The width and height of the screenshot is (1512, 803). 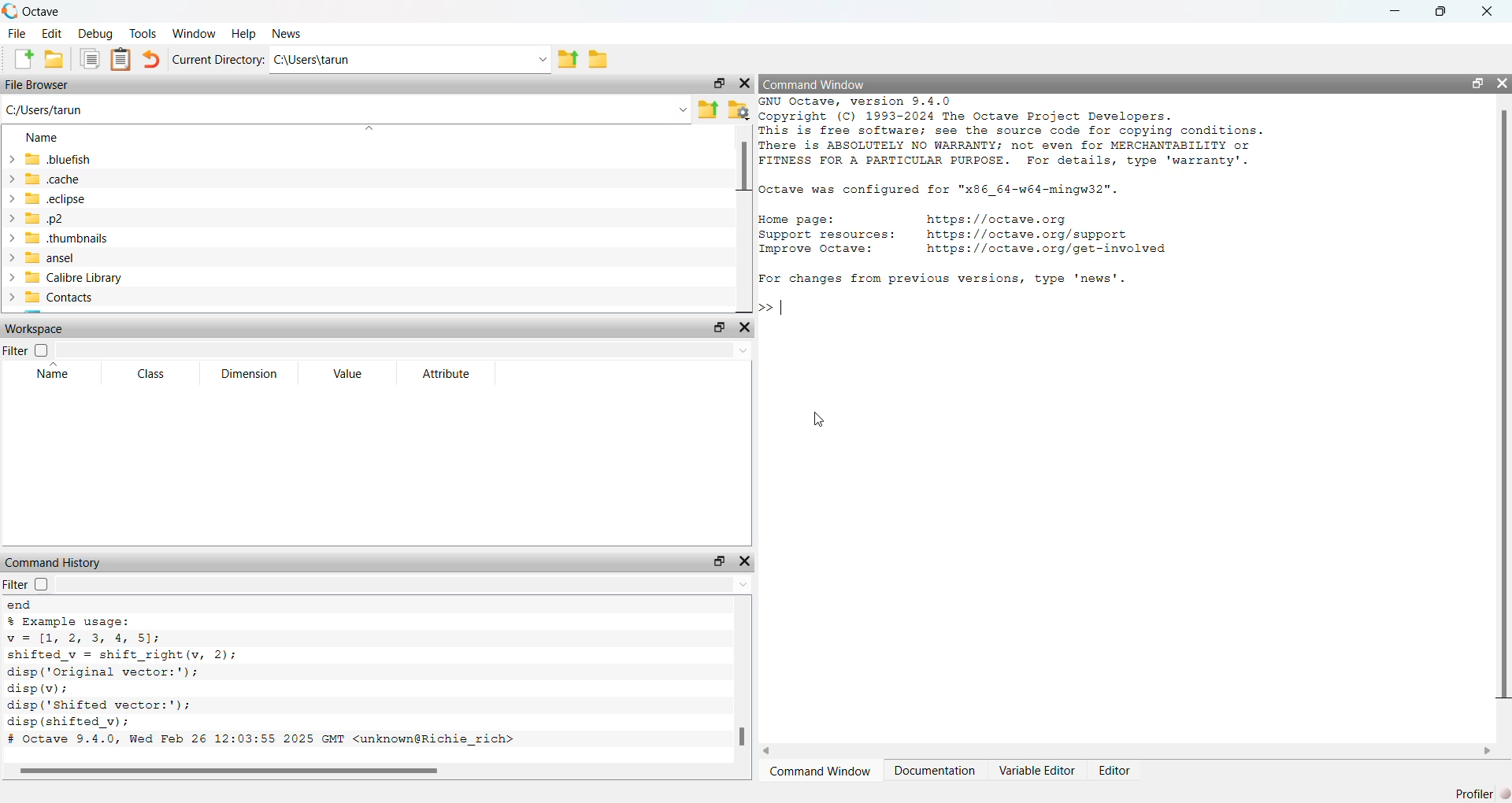 What do you see at coordinates (87, 61) in the screenshot?
I see `copy` at bounding box center [87, 61].